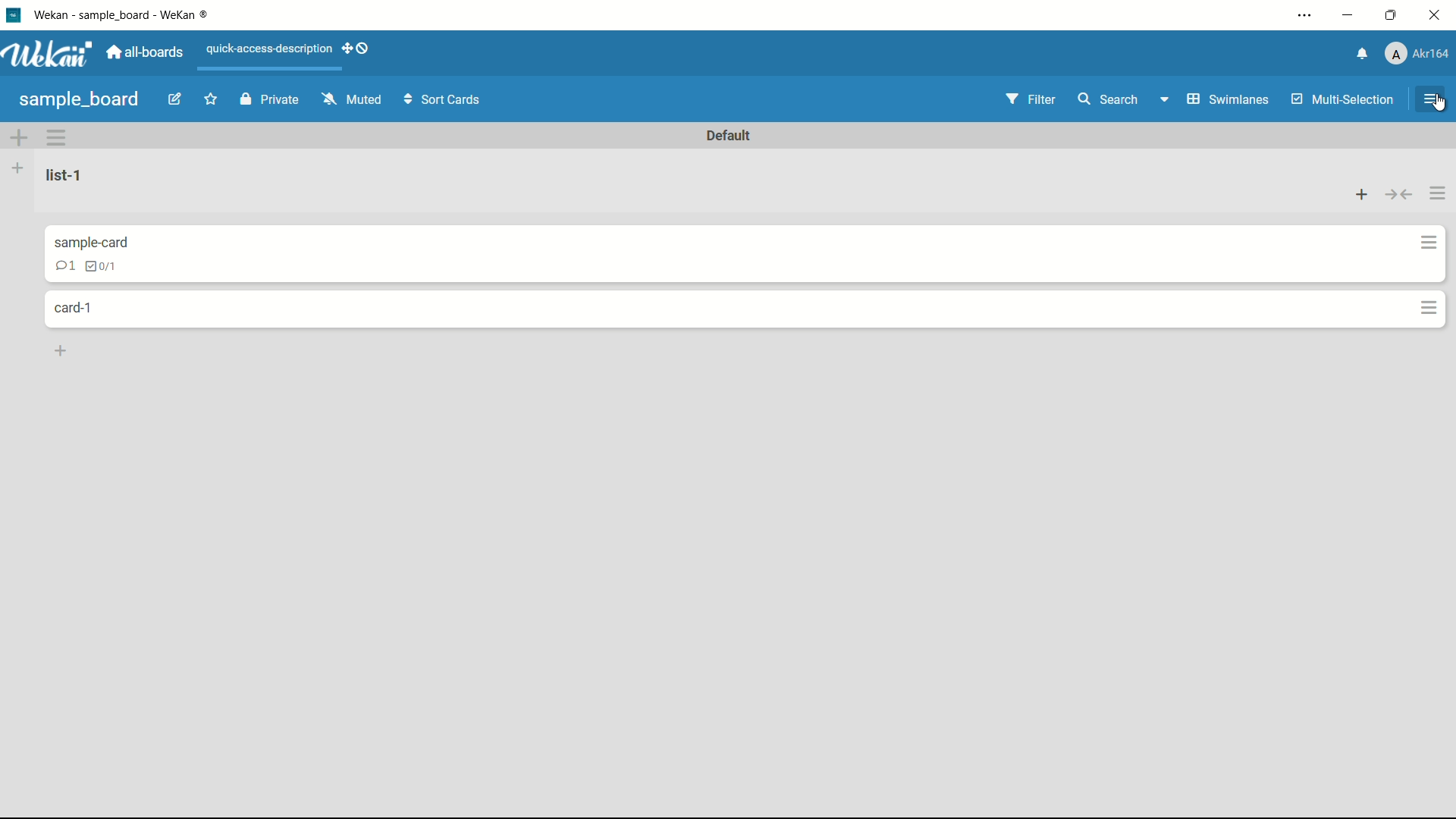 The width and height of the screenshot is (1456, 819). What do you see at coordinates (178, 101) in the screenshot?
I see `edit` at bounding box center [178, 101].